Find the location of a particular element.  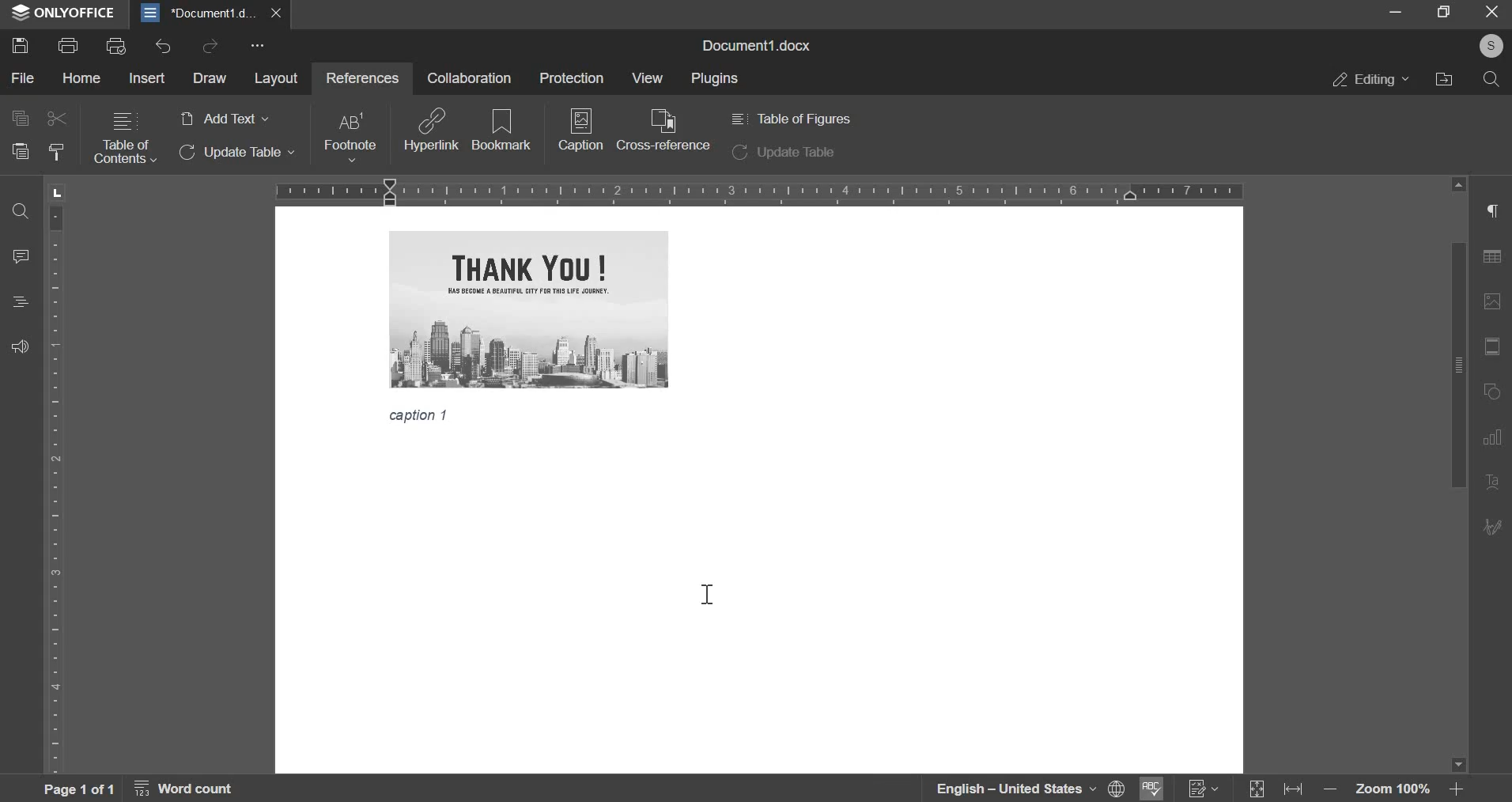

Text is located at coordinates (1494, 483).